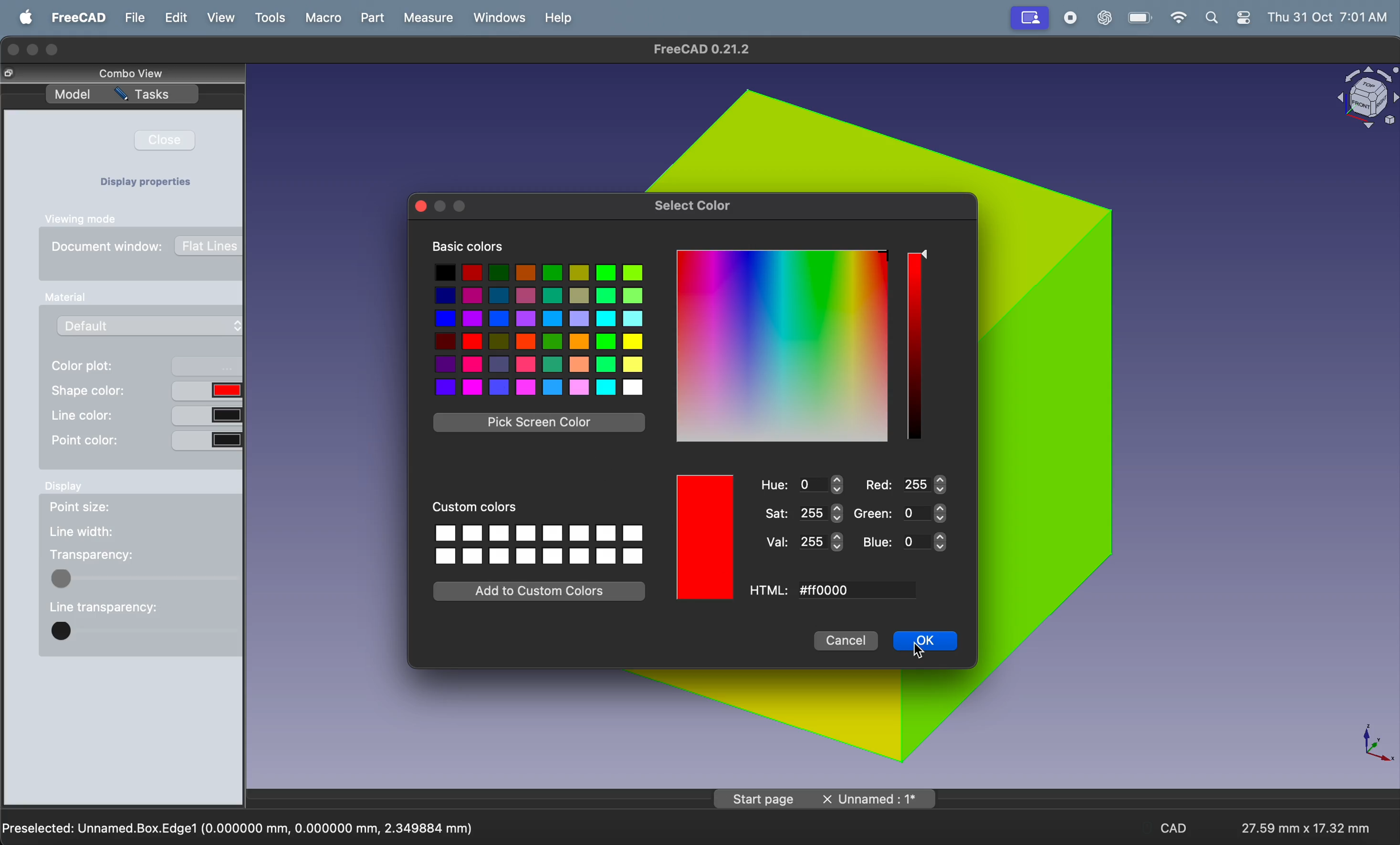 The height and width of the screenshot is (845, 1400). Describe the element at coordinates (148, 250) in the screenshot. I see `document window` at that location.